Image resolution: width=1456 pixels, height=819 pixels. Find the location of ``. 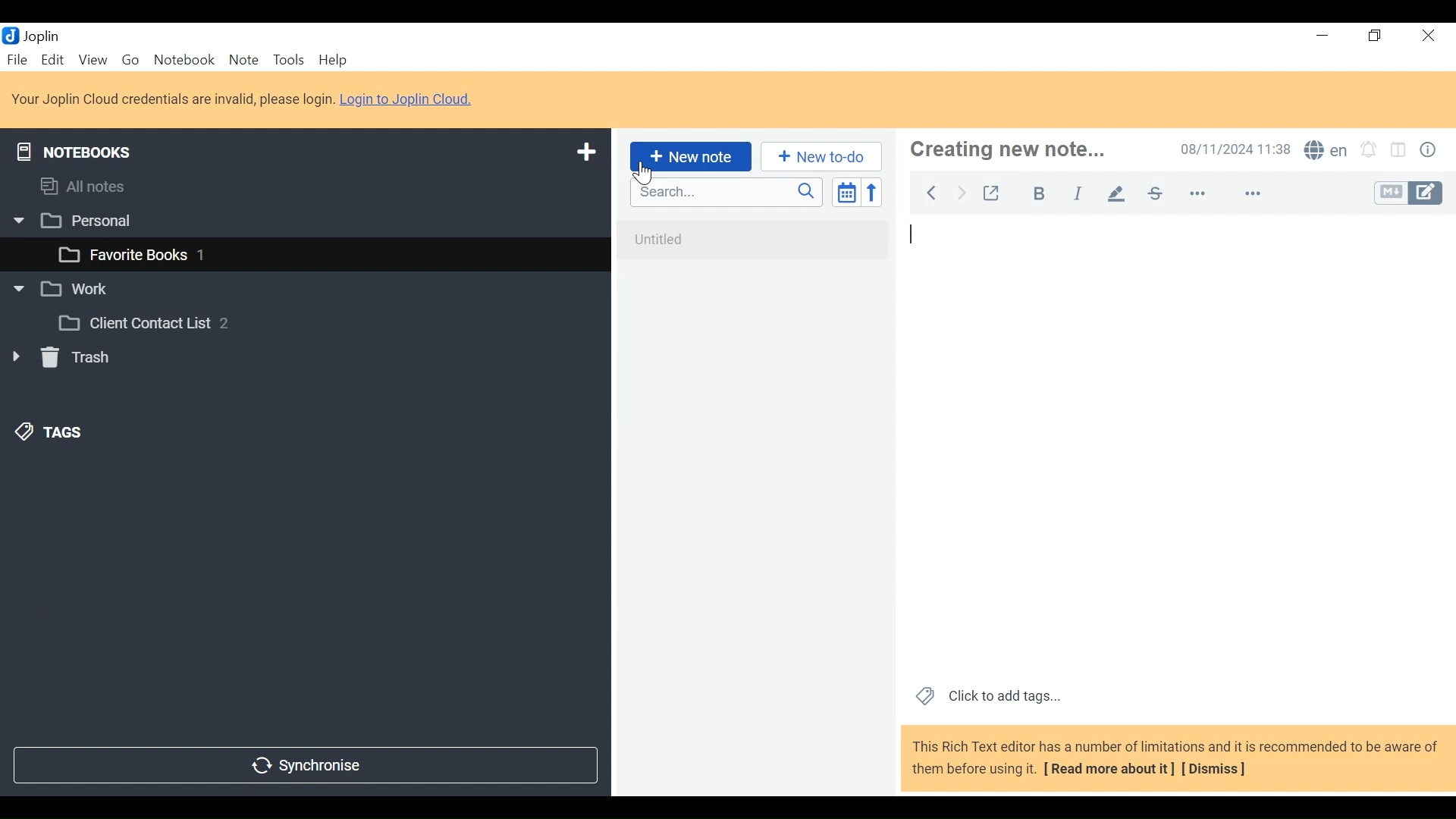

 is located at coordinates (334, 59).